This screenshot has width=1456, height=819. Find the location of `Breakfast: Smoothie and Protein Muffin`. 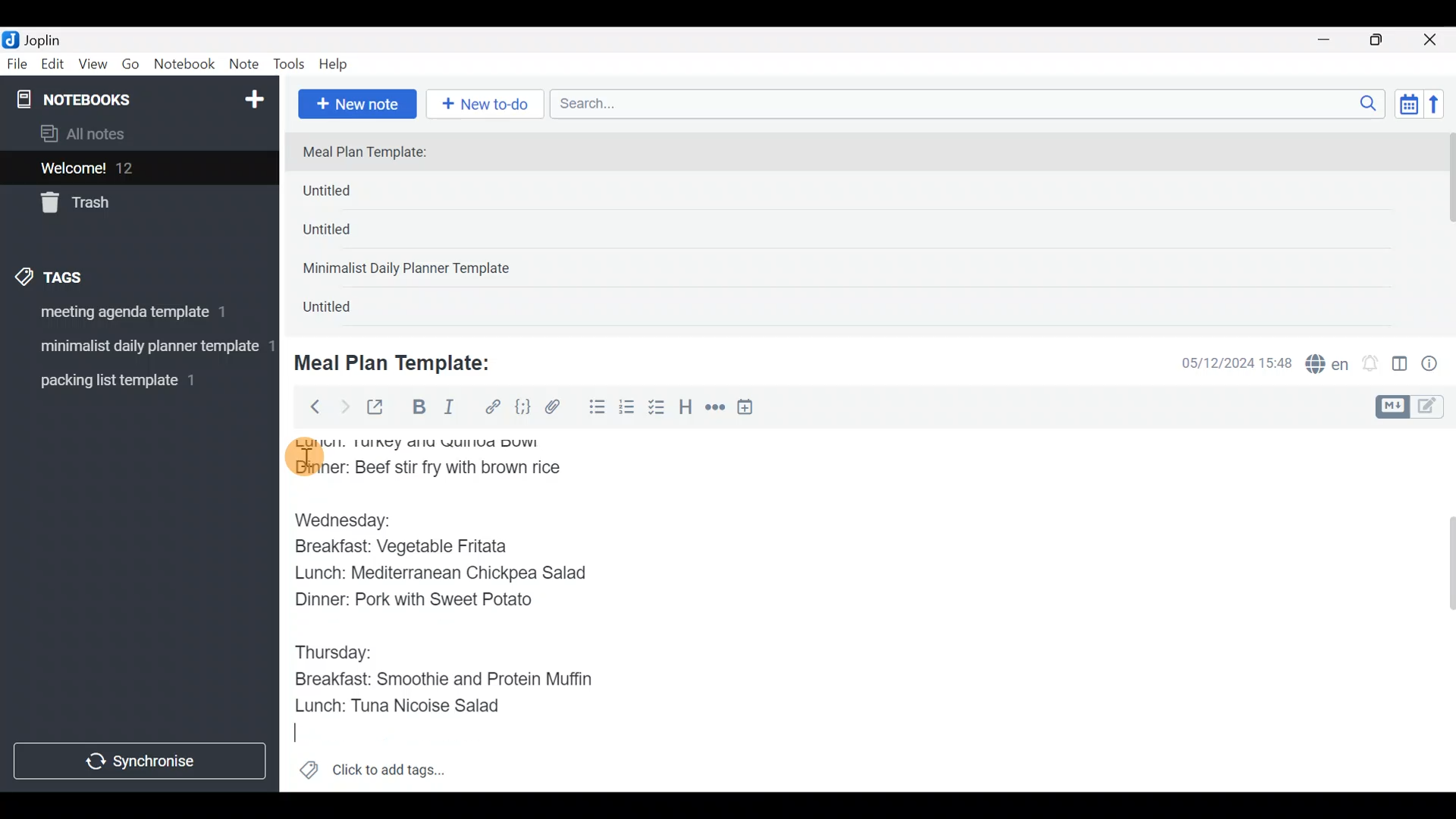

Breakfast: Smoothie and Protein Muffin is located at coordinates (440, 678).